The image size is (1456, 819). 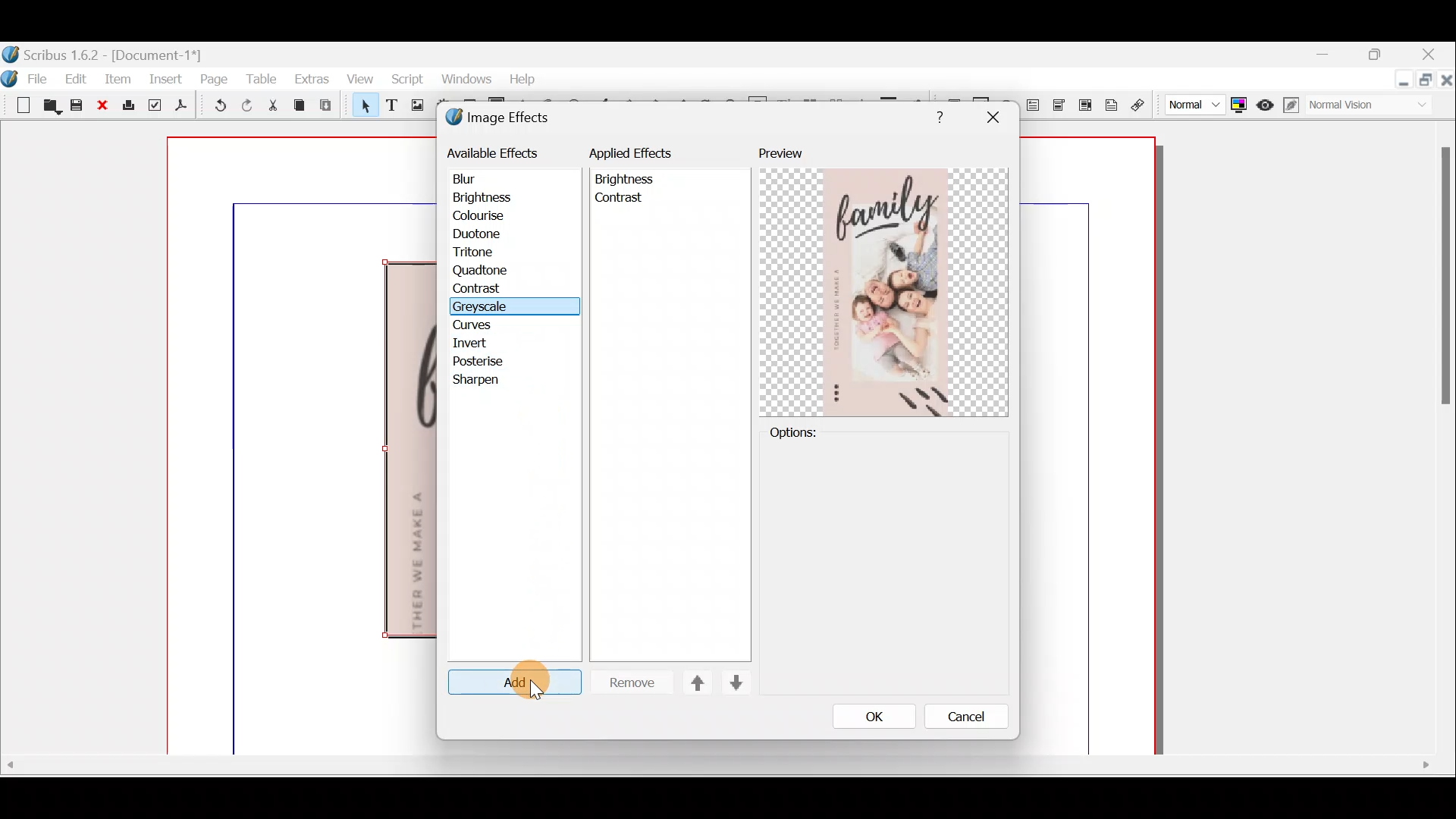 I want to click on Undo, so click(x=213, y=106).